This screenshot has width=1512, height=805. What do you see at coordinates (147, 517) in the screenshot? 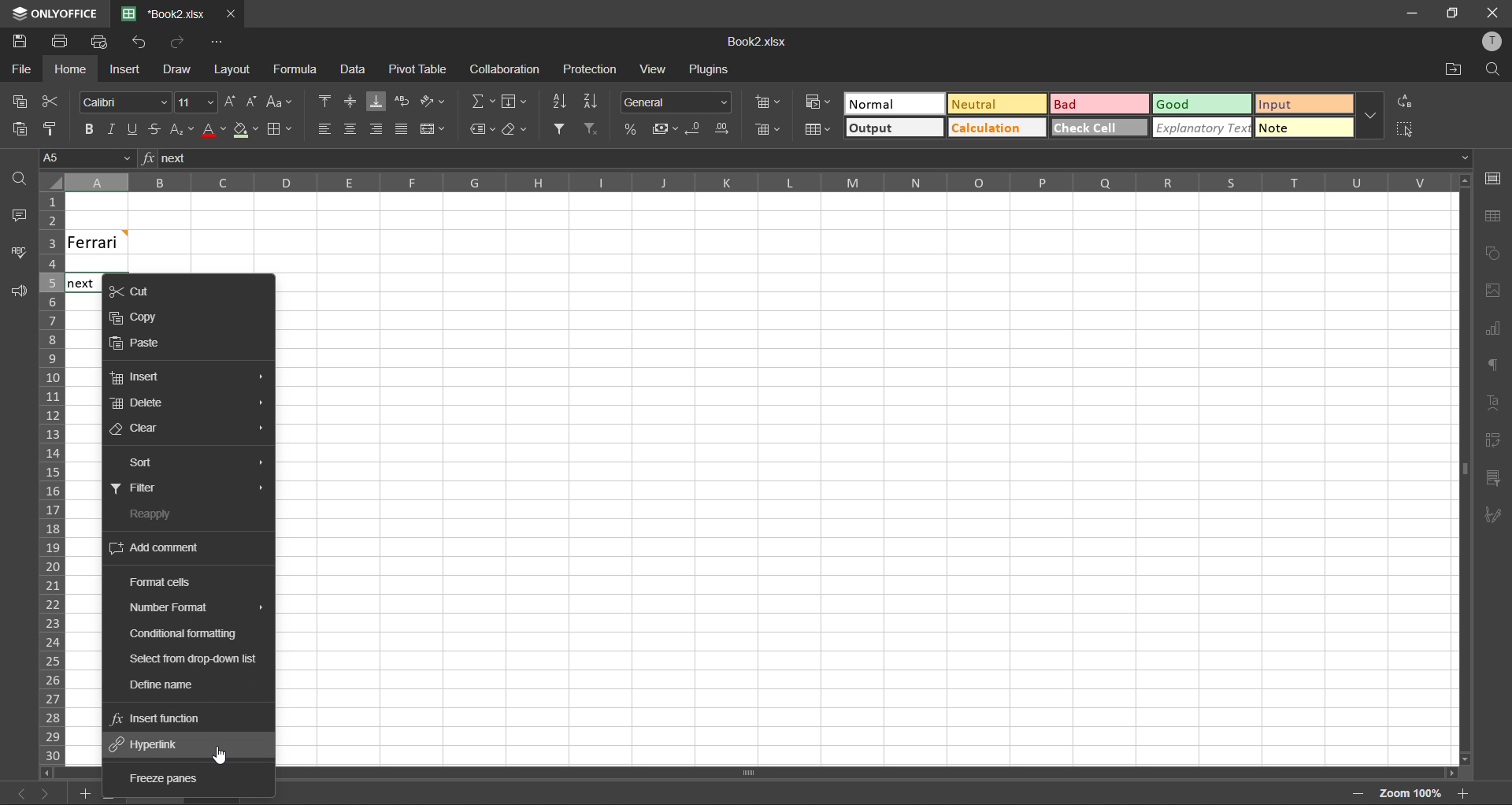
I see `reapply` at bounding box center [147, 517].